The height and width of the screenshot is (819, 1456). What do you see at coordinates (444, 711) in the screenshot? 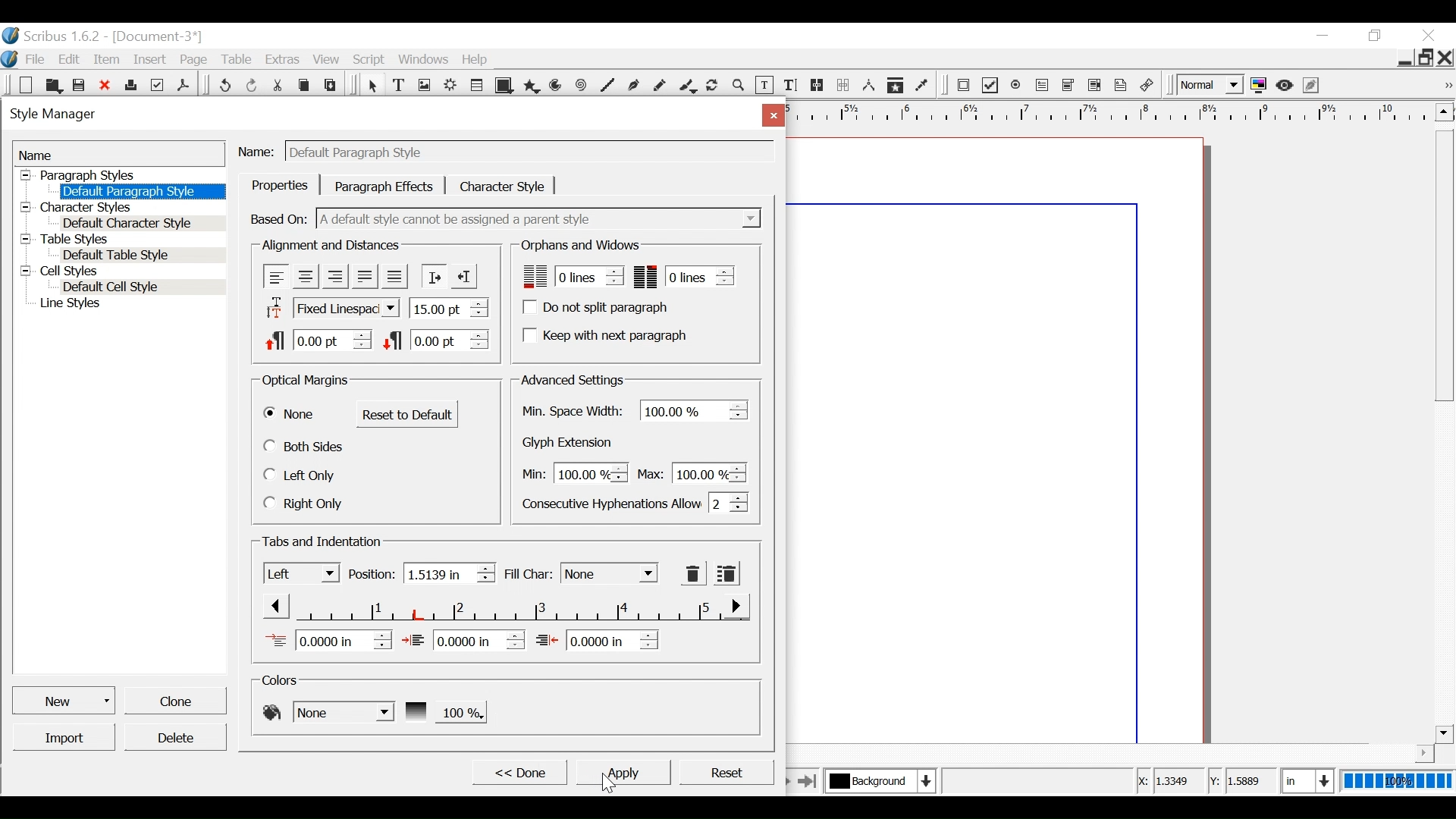
I see `Background shade` at bounding box center [444, 711].